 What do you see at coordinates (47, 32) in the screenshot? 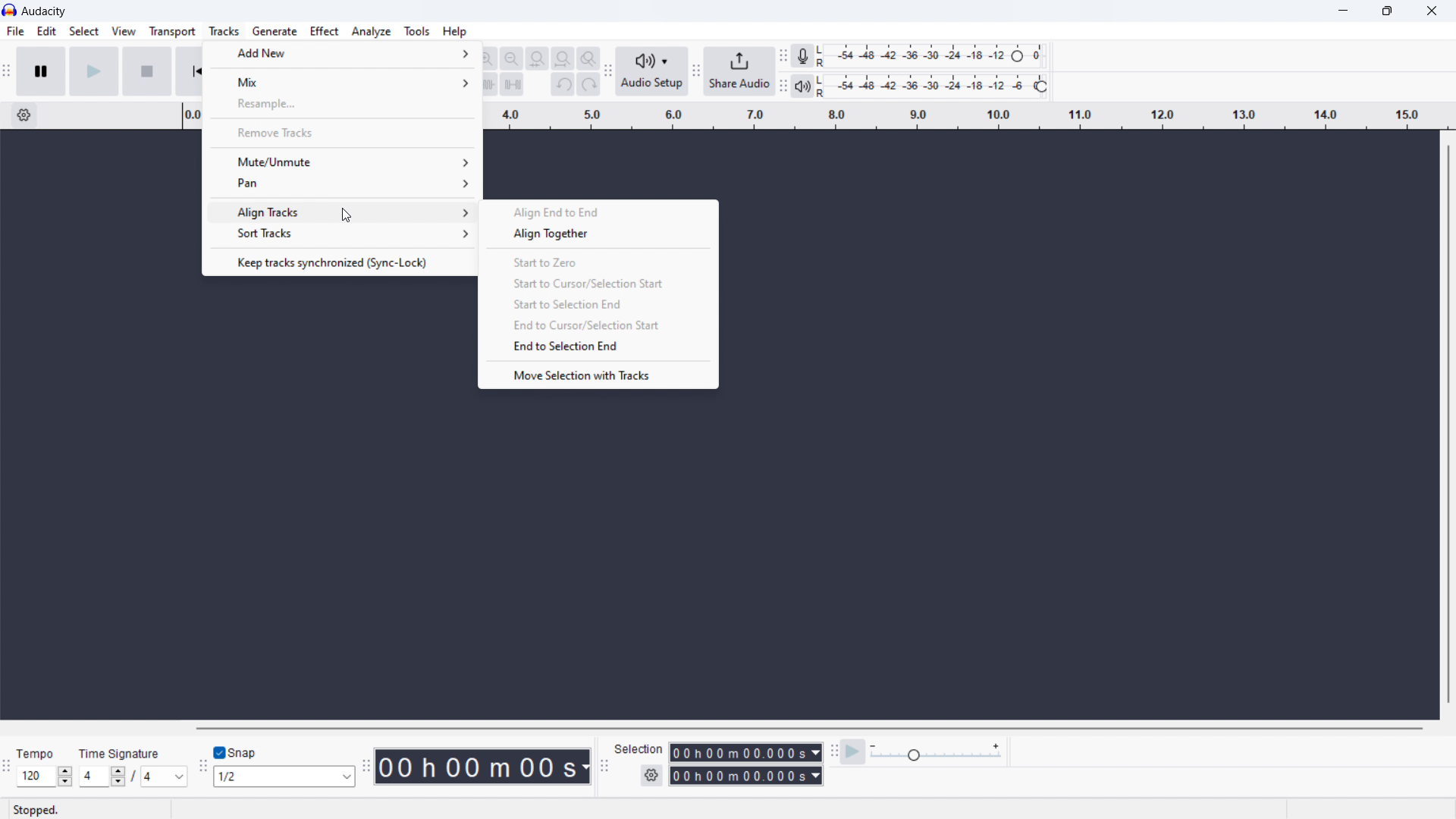
I see `edit` at bounding box center [47, 32].